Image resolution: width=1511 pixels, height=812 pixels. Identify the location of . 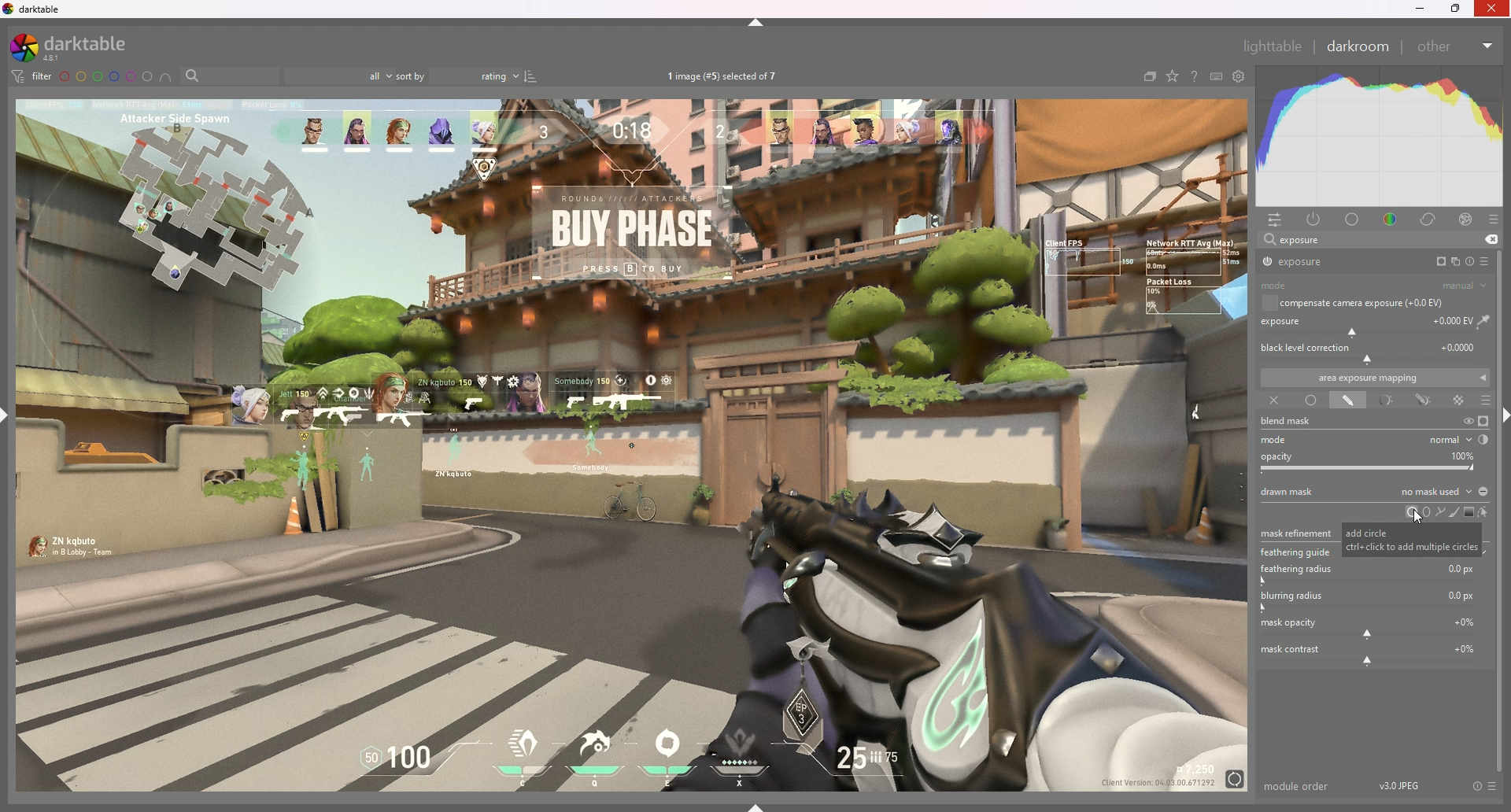
(1493, 9).